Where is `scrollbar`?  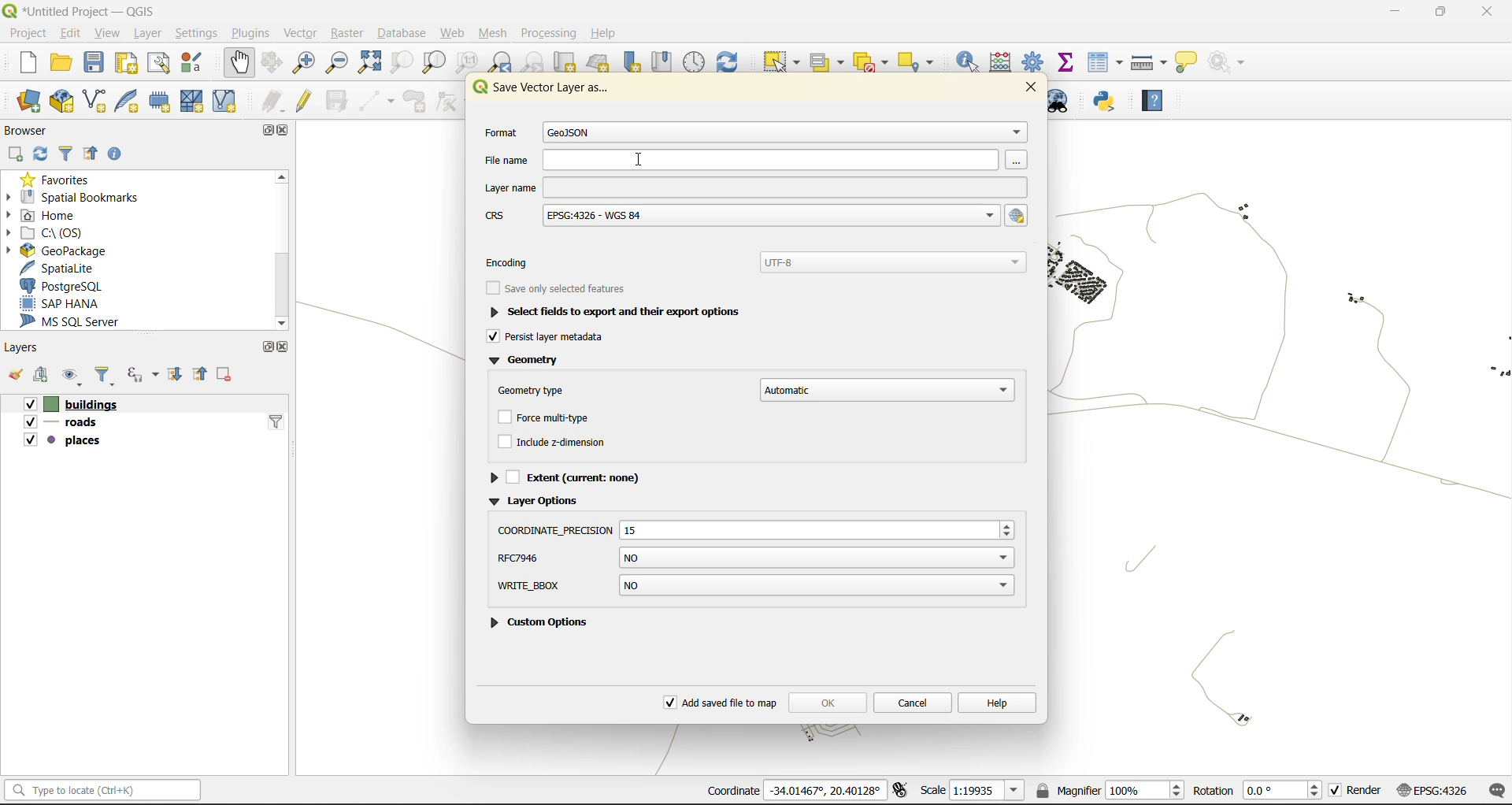
scrollbar is located at coordinates (280, 250).